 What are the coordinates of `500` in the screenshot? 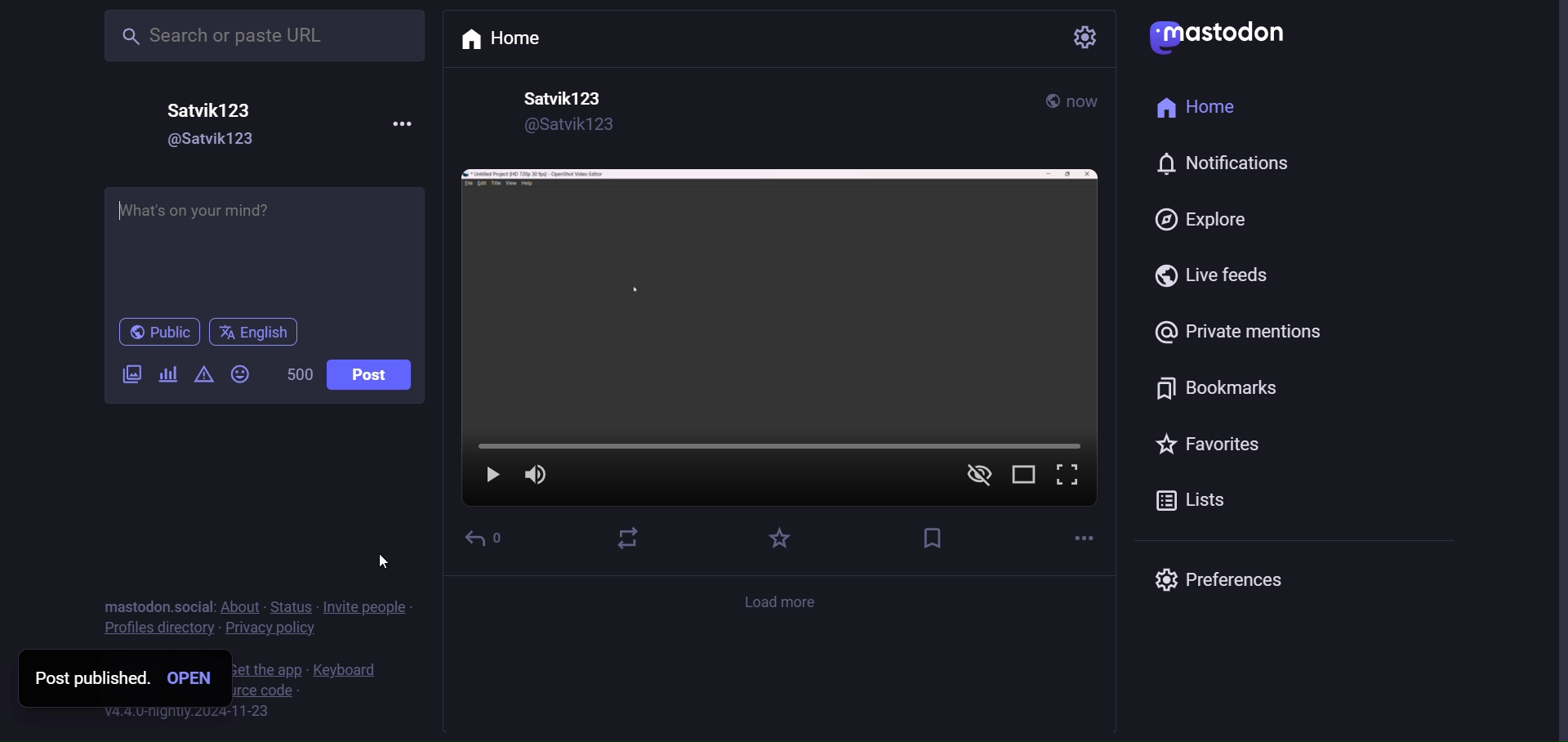 It's located at (291, 378).